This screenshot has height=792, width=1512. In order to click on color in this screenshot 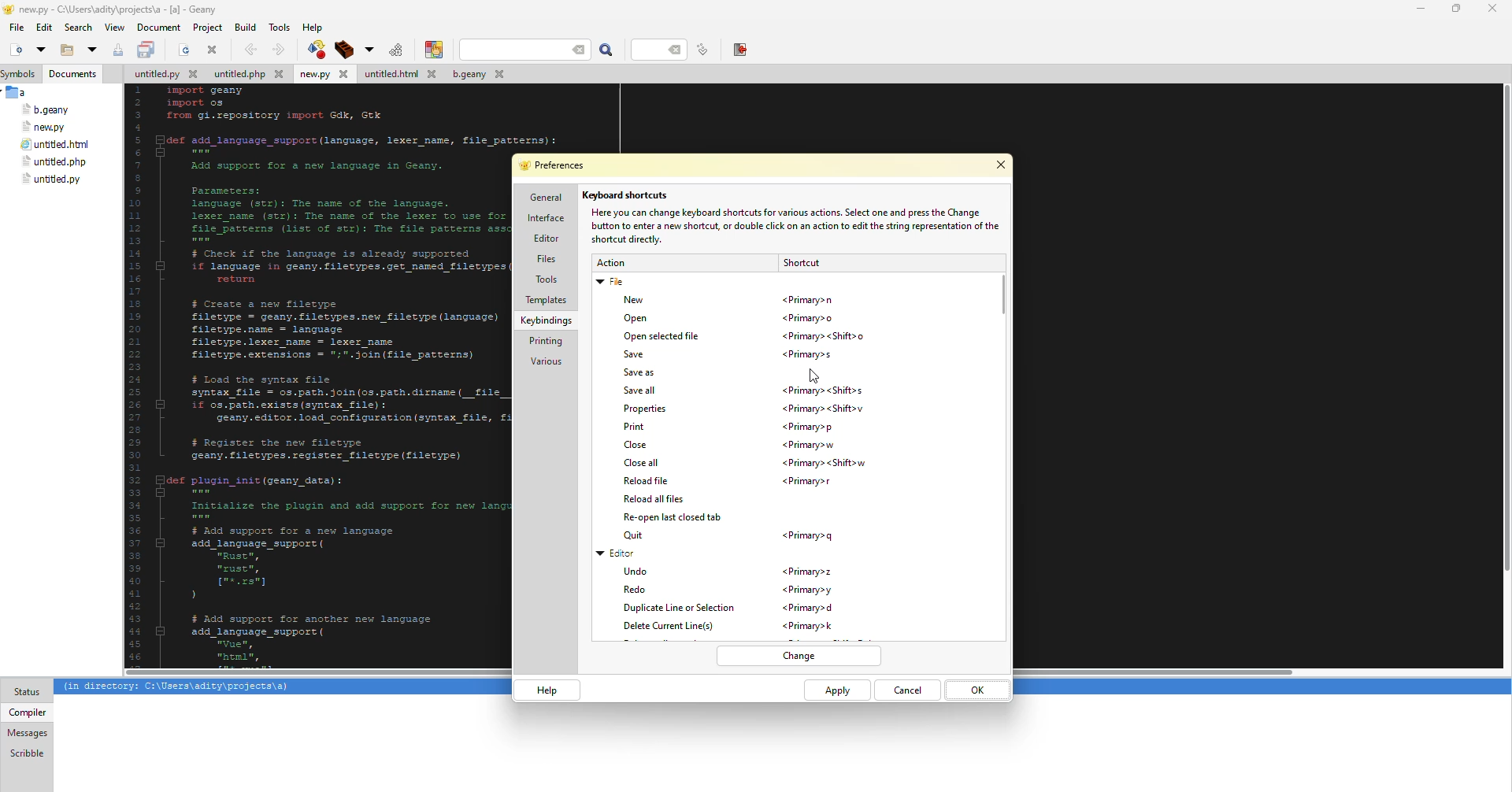, I will do `click(431, 50)`.